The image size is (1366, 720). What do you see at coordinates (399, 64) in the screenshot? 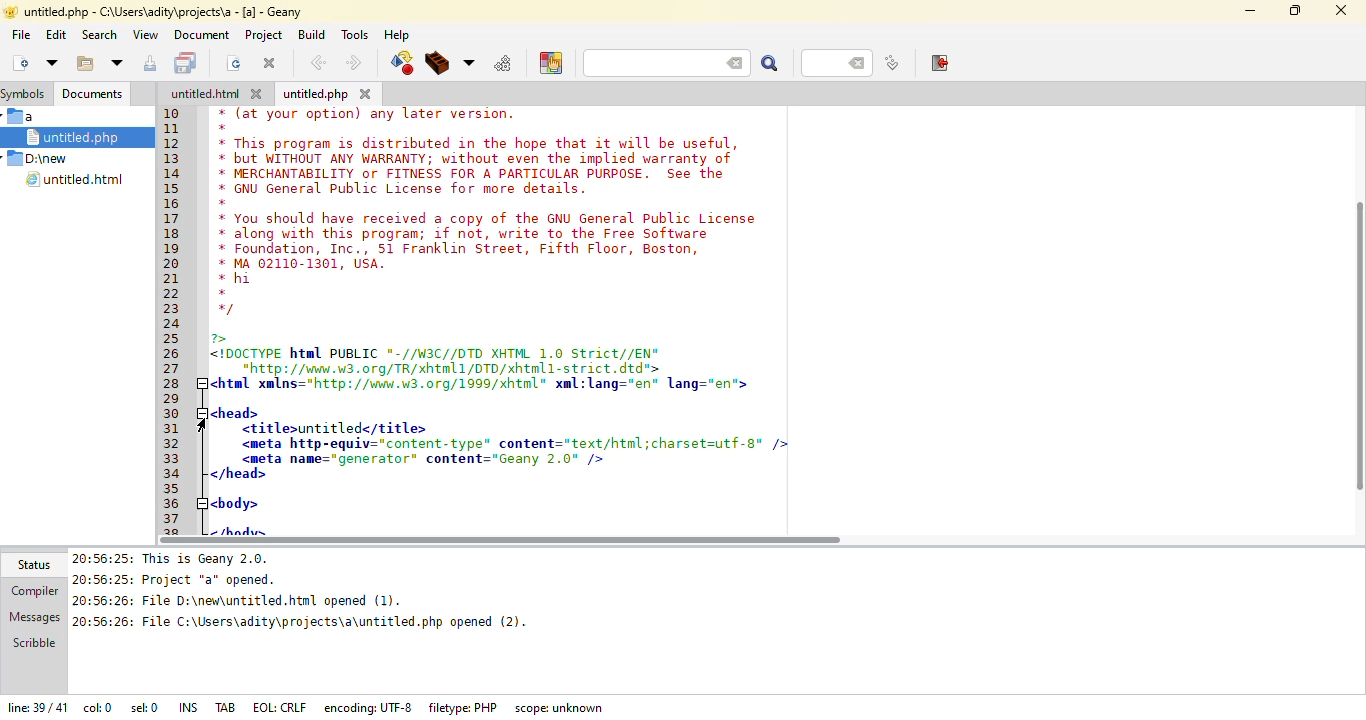
I see `compile` at bounding box center [399, 64].